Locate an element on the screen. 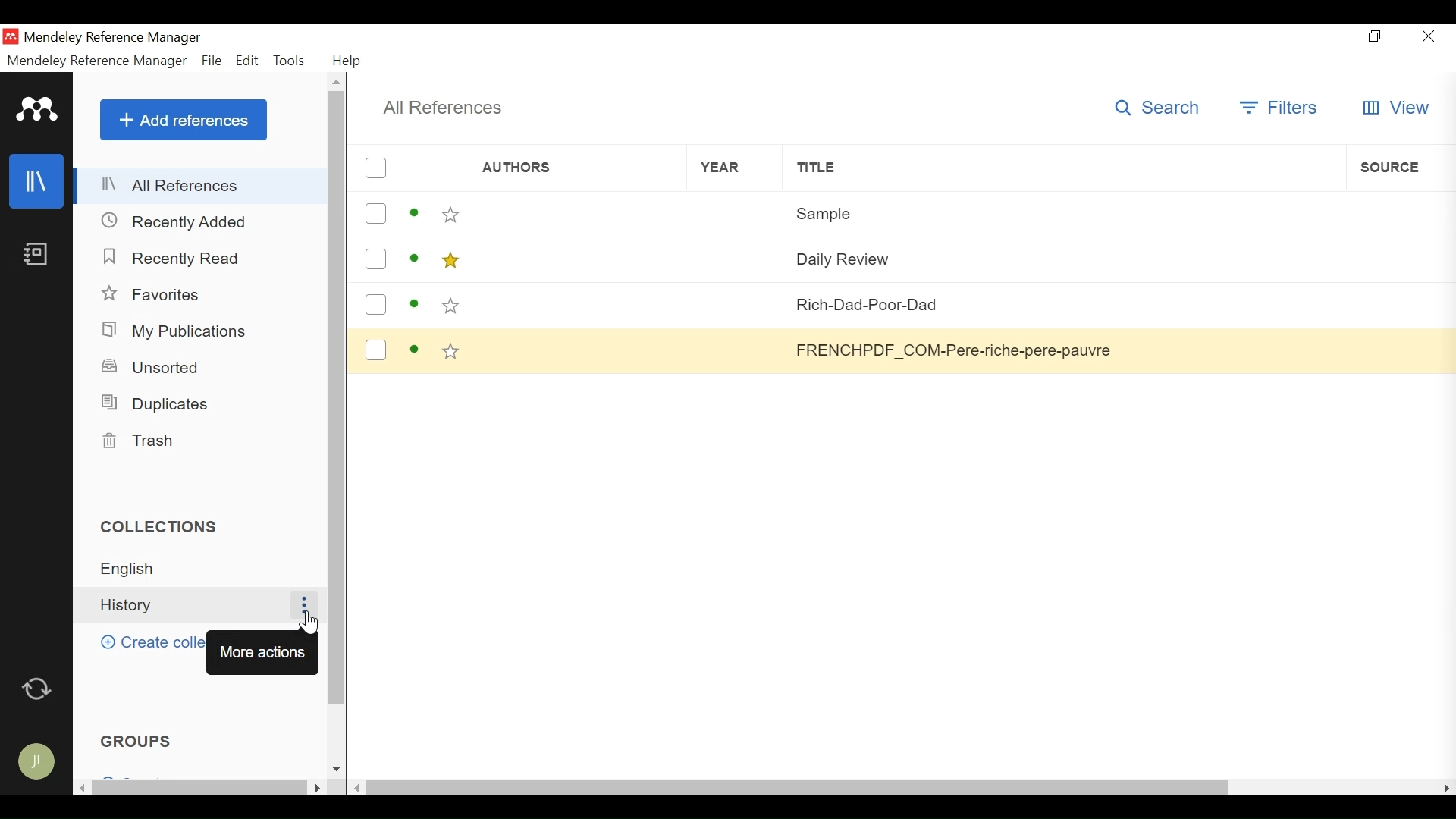  Source is located at coordinates (1400, 167).